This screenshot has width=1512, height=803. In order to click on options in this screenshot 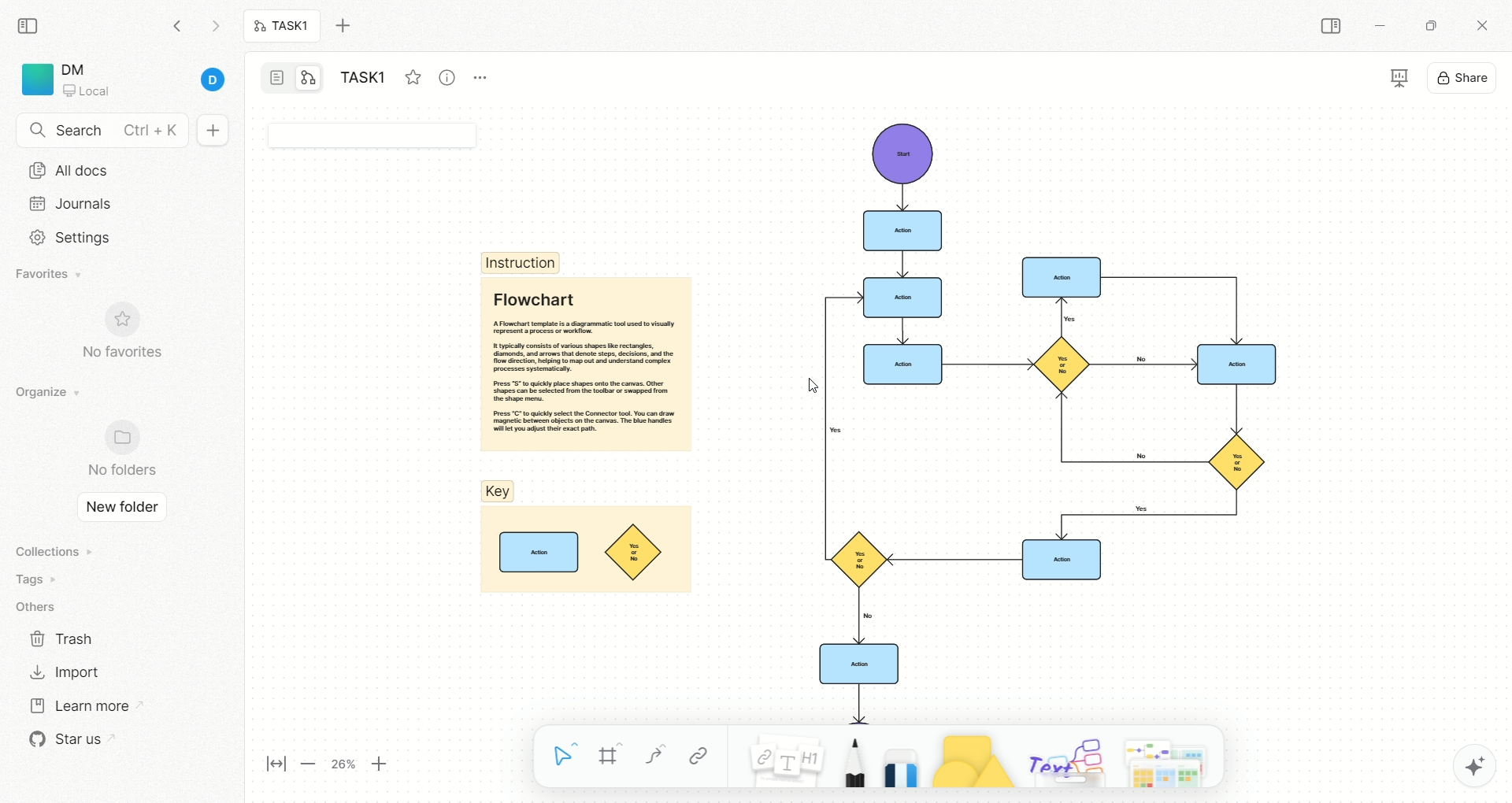, I will do `click(488, 74)`.